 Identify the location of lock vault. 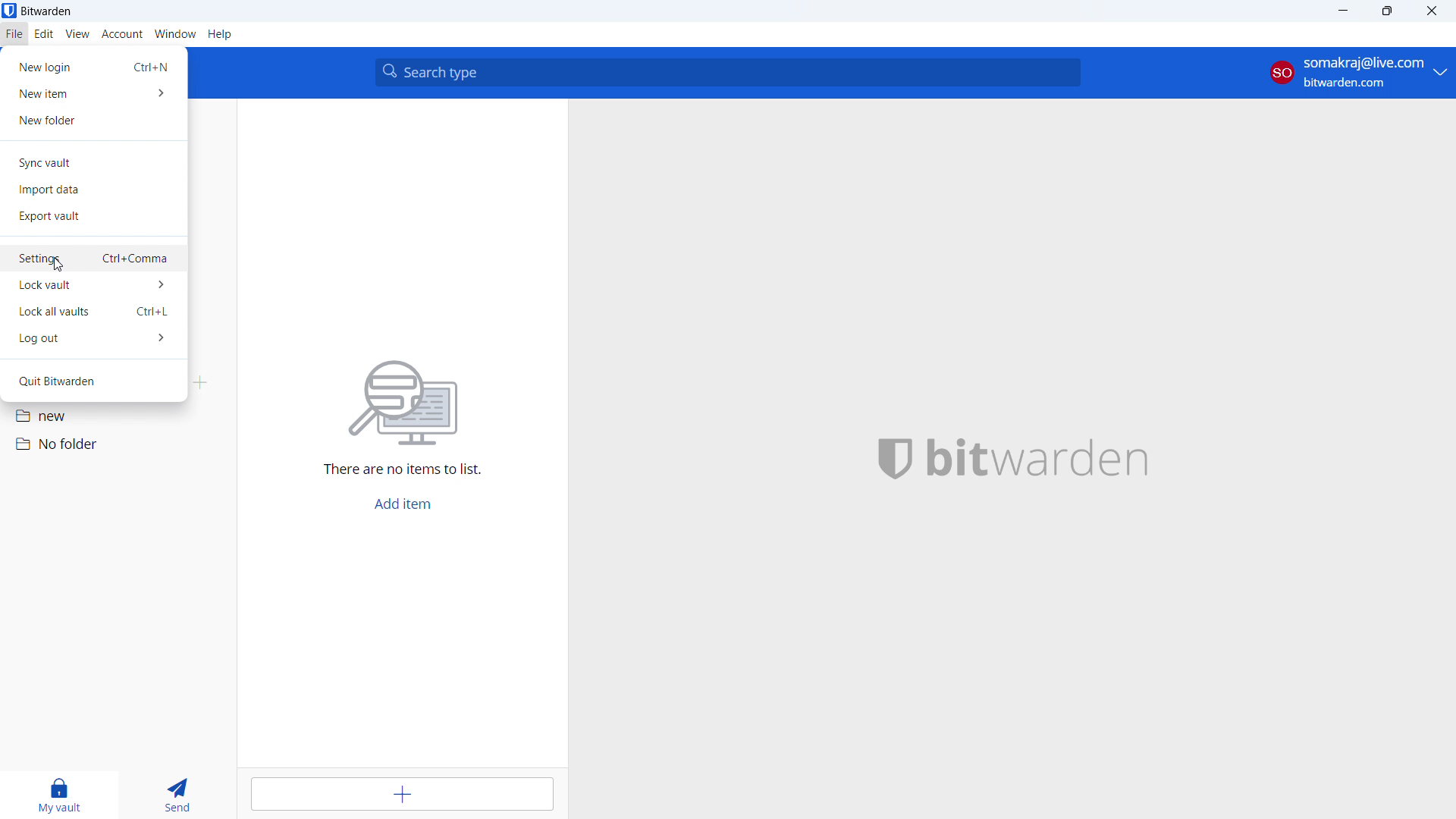
(93, 286).